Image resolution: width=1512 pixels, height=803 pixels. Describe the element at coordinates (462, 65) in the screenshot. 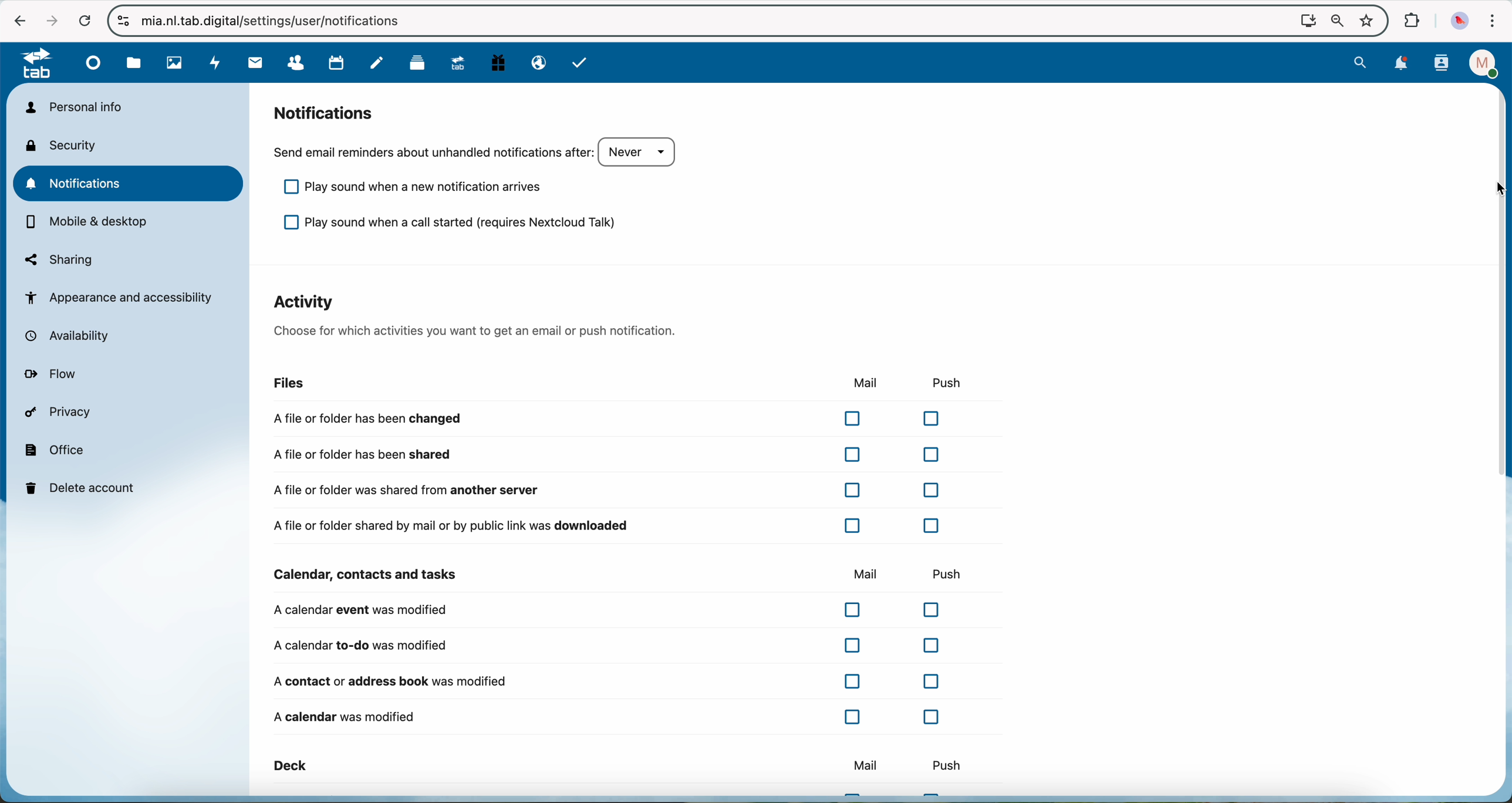

I see `upgrade` at that location.